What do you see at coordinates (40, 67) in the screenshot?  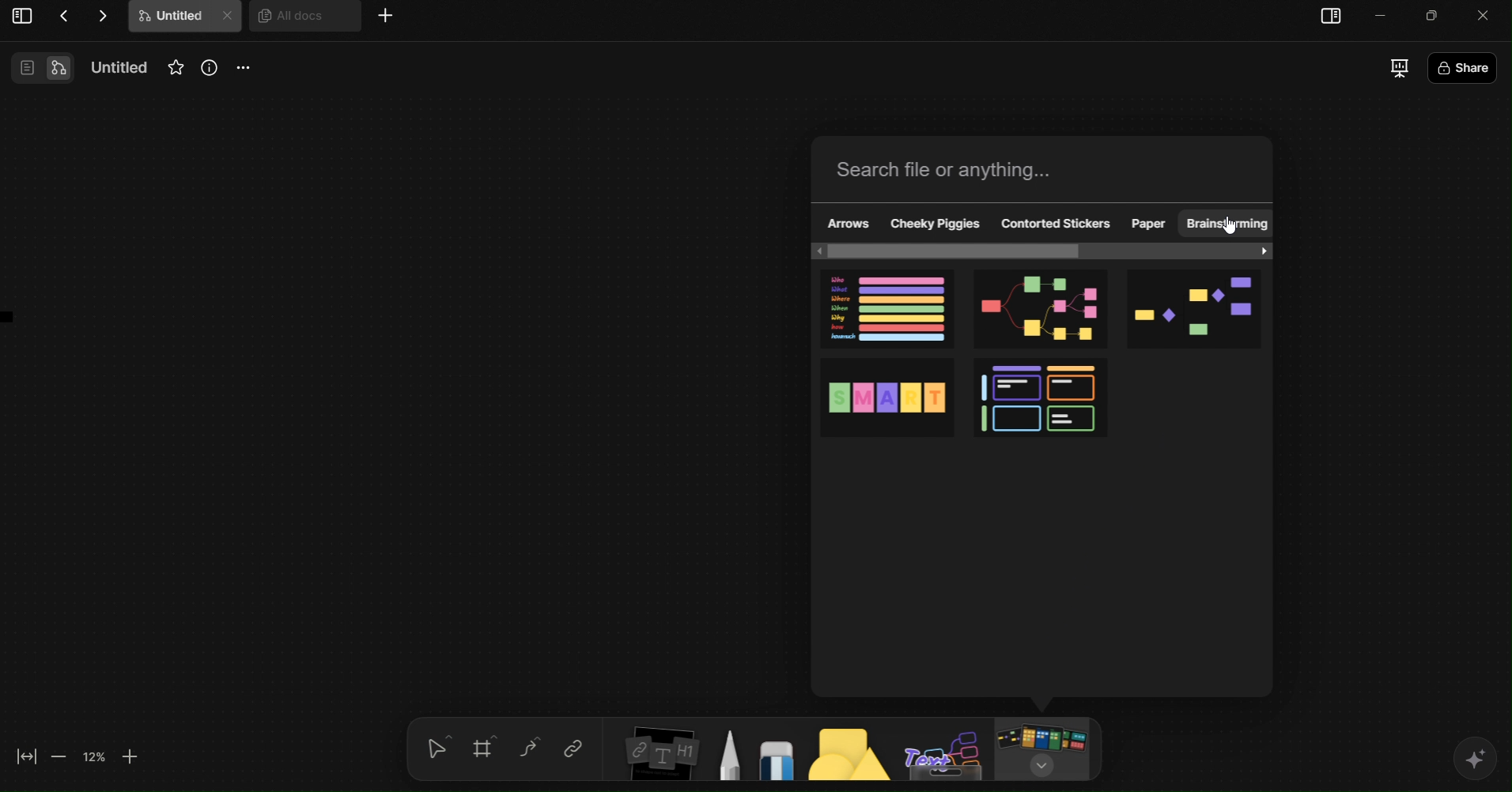 I see `View` at bounding box center [40, 67].